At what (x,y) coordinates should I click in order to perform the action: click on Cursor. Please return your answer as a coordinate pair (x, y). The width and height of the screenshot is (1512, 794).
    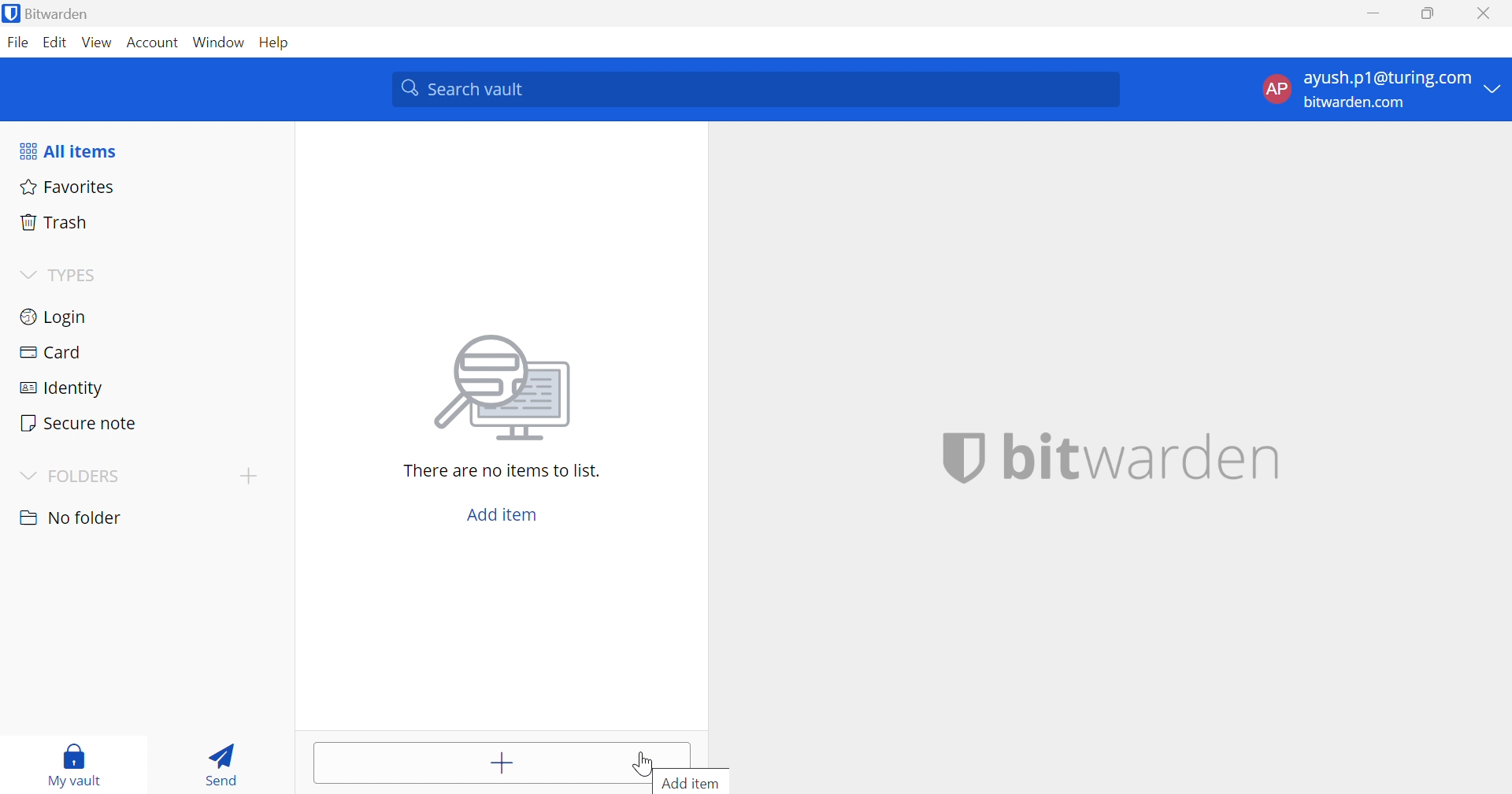
    Looking at the image, I should click on (641, 762).